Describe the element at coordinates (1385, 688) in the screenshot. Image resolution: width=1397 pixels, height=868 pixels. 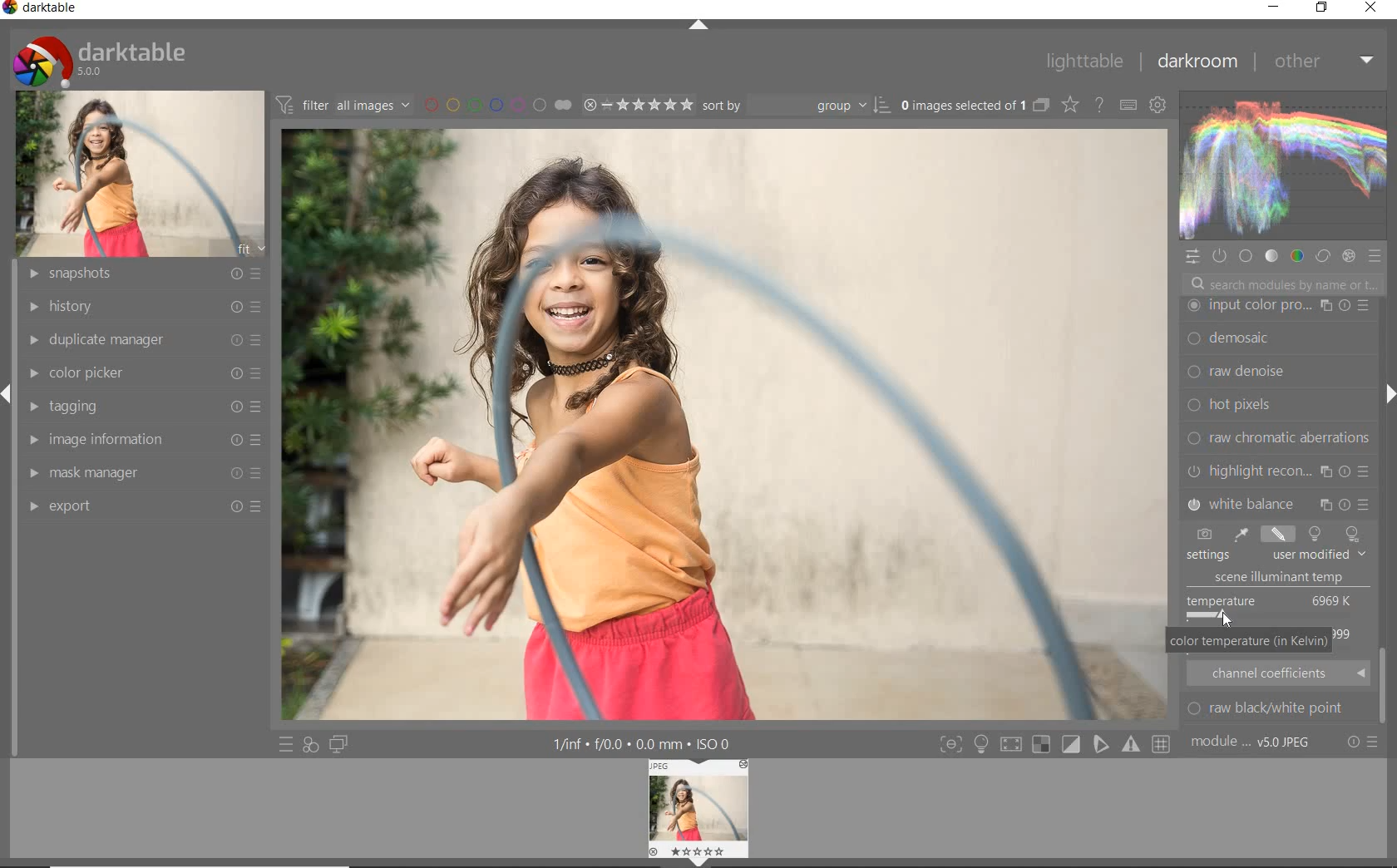
I see `took bar ` at that location.